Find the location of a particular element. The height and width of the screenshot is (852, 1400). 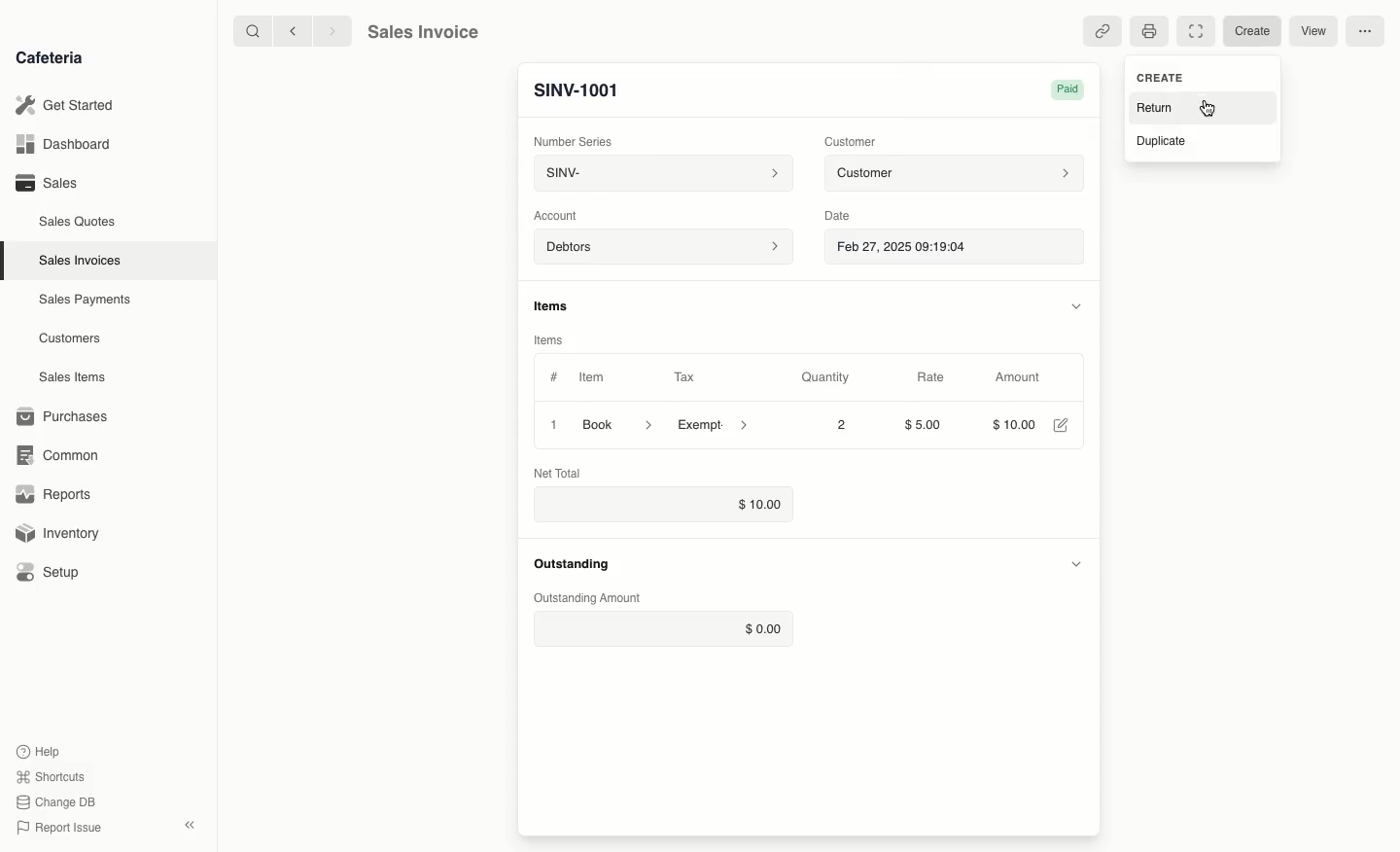

$0.00 is located at coordinates (662, 628).